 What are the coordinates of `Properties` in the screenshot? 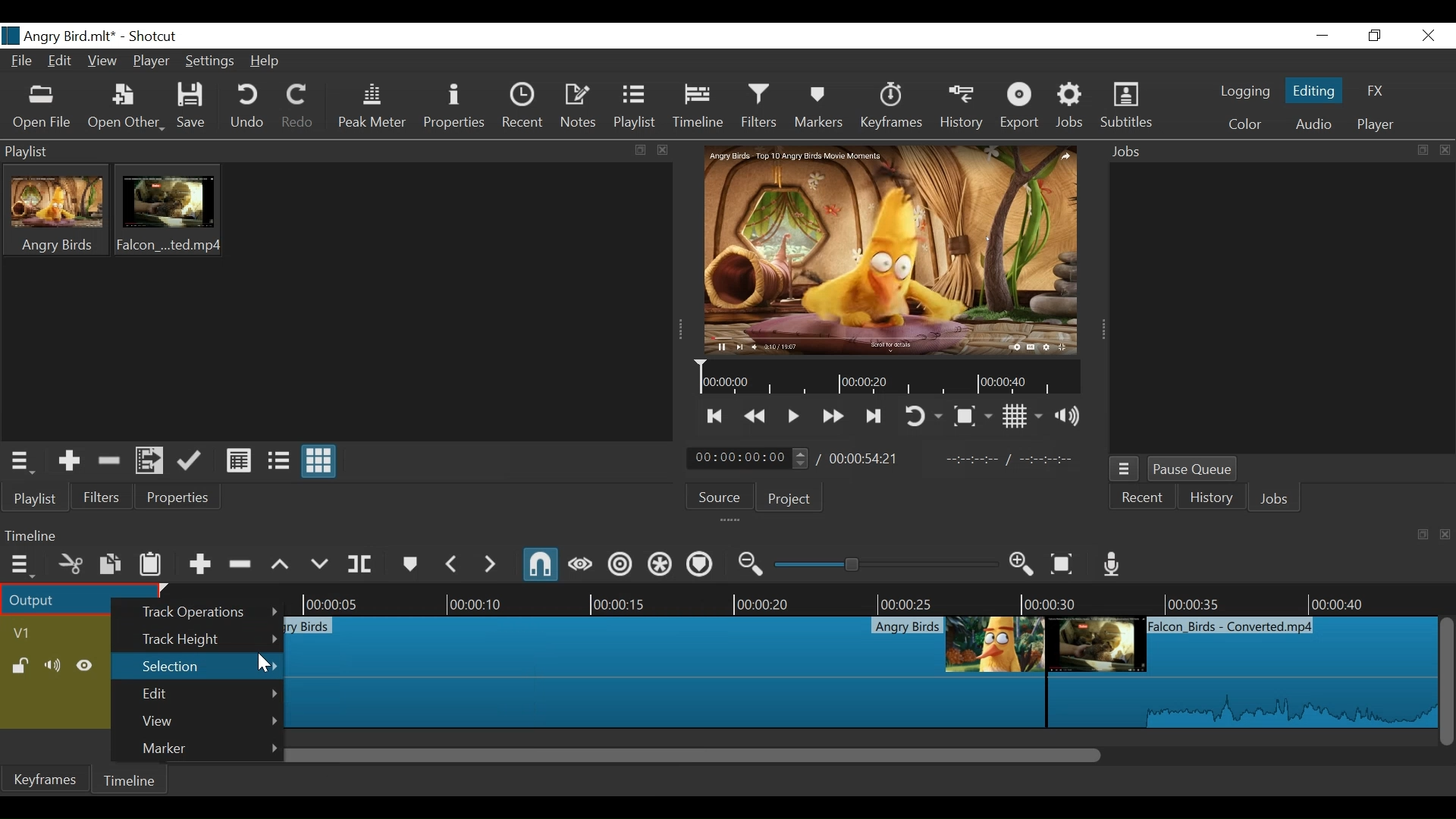 It's located at (175, 497).